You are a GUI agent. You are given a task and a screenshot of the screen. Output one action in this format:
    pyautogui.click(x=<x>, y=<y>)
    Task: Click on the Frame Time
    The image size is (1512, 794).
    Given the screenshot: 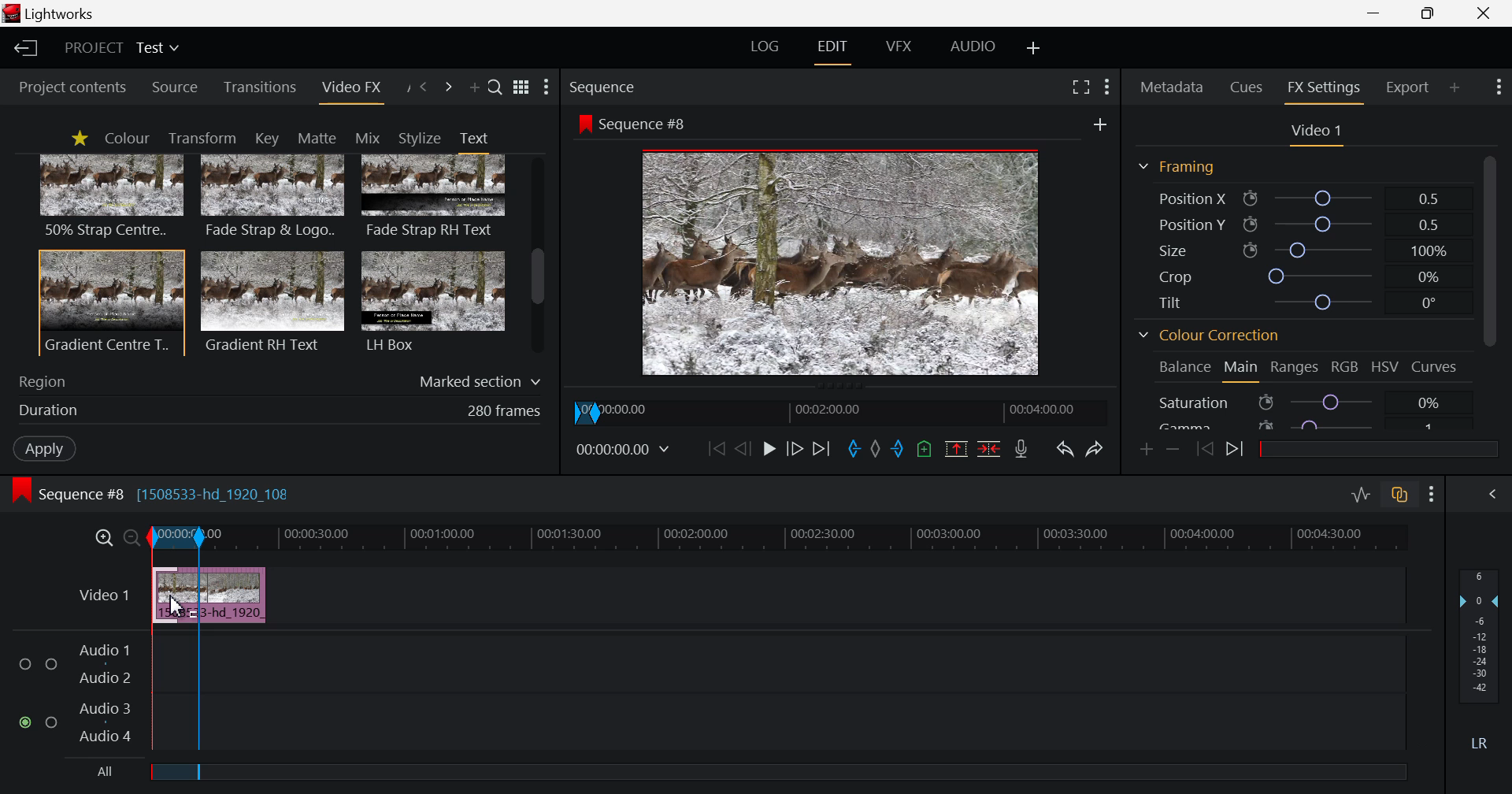 What is the action you would take?
    pyautogui.click(x=627, y=450)
    